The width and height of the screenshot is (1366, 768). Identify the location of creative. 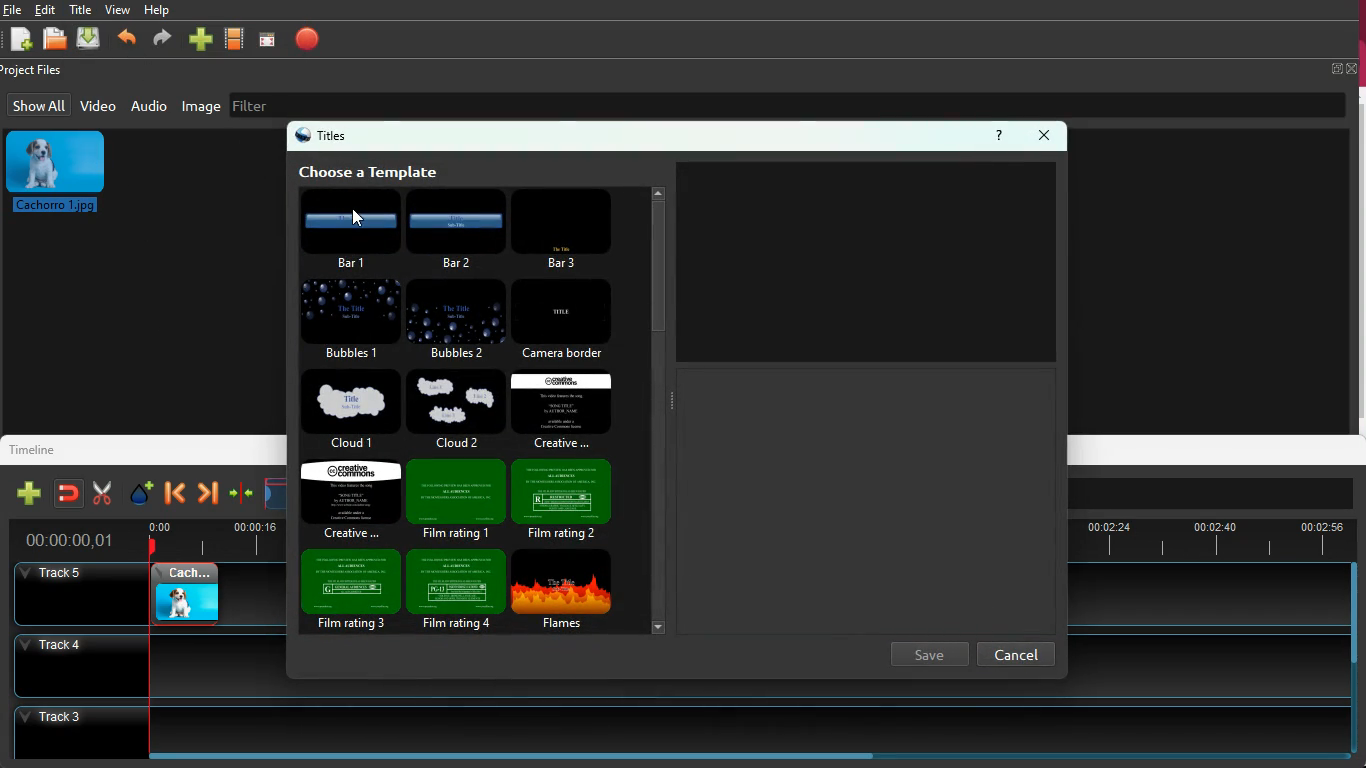
(563, 408).